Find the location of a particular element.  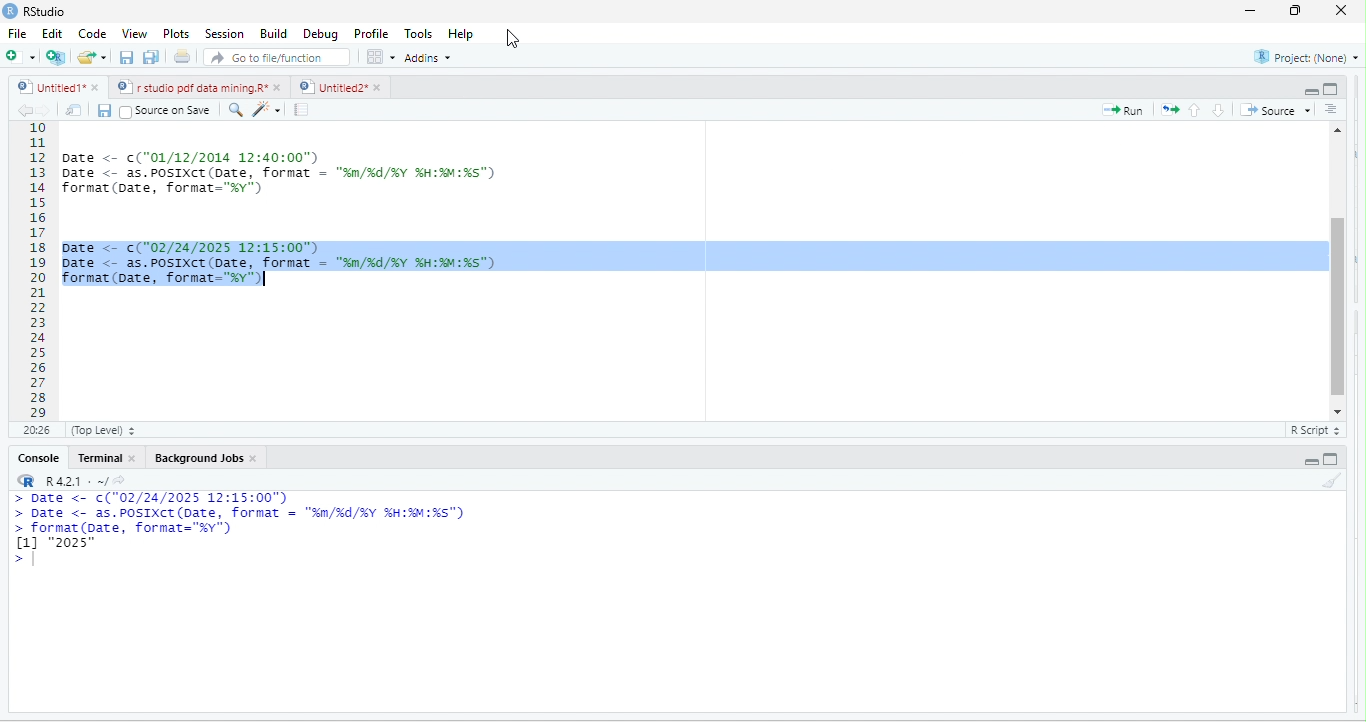

option is located at coordinates (379, 56).